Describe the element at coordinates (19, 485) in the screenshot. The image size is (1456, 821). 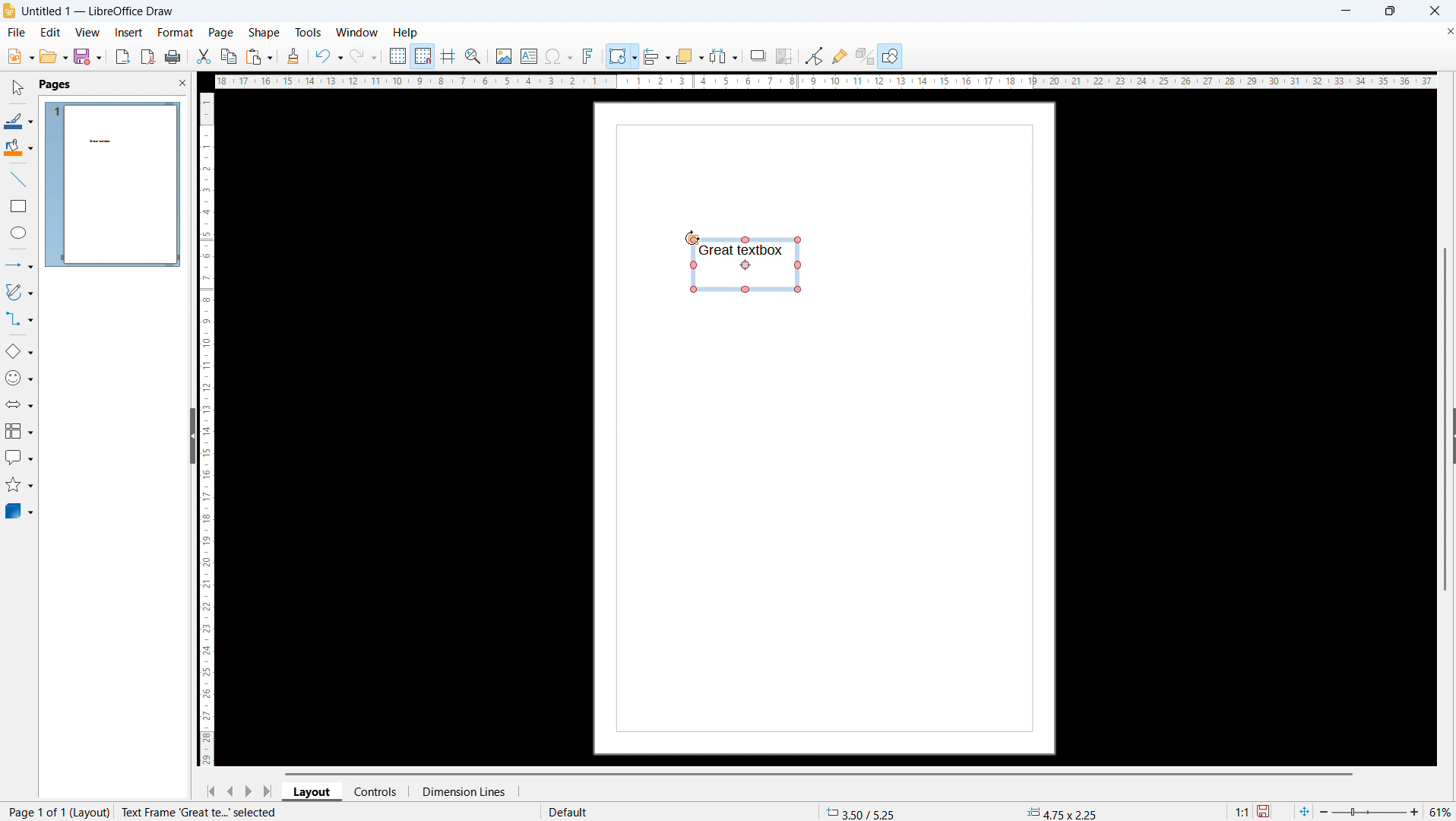
I see `stars and banners` at that location.